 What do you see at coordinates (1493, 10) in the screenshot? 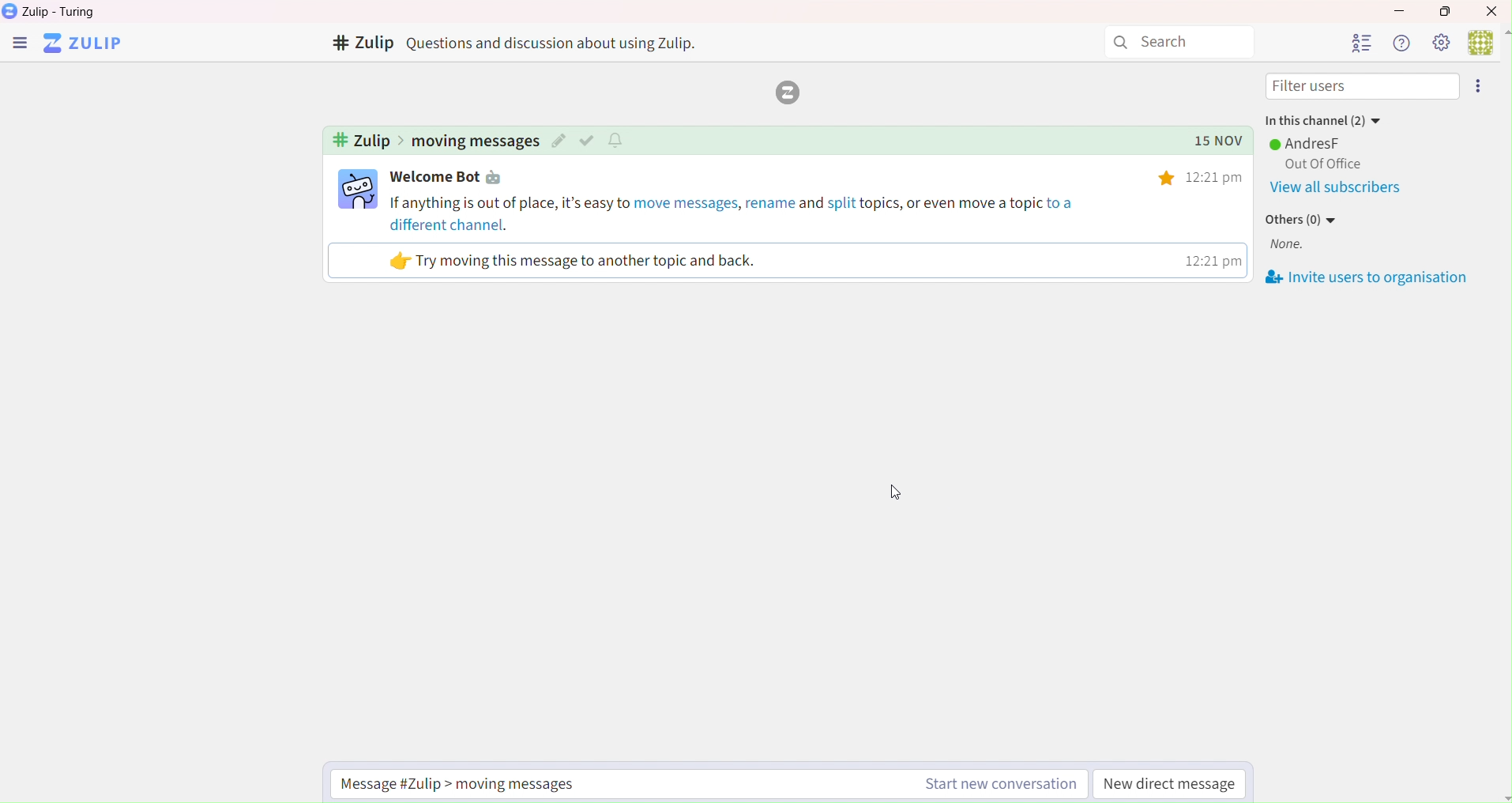
I see `Close` at bounding box center [1493, 10].